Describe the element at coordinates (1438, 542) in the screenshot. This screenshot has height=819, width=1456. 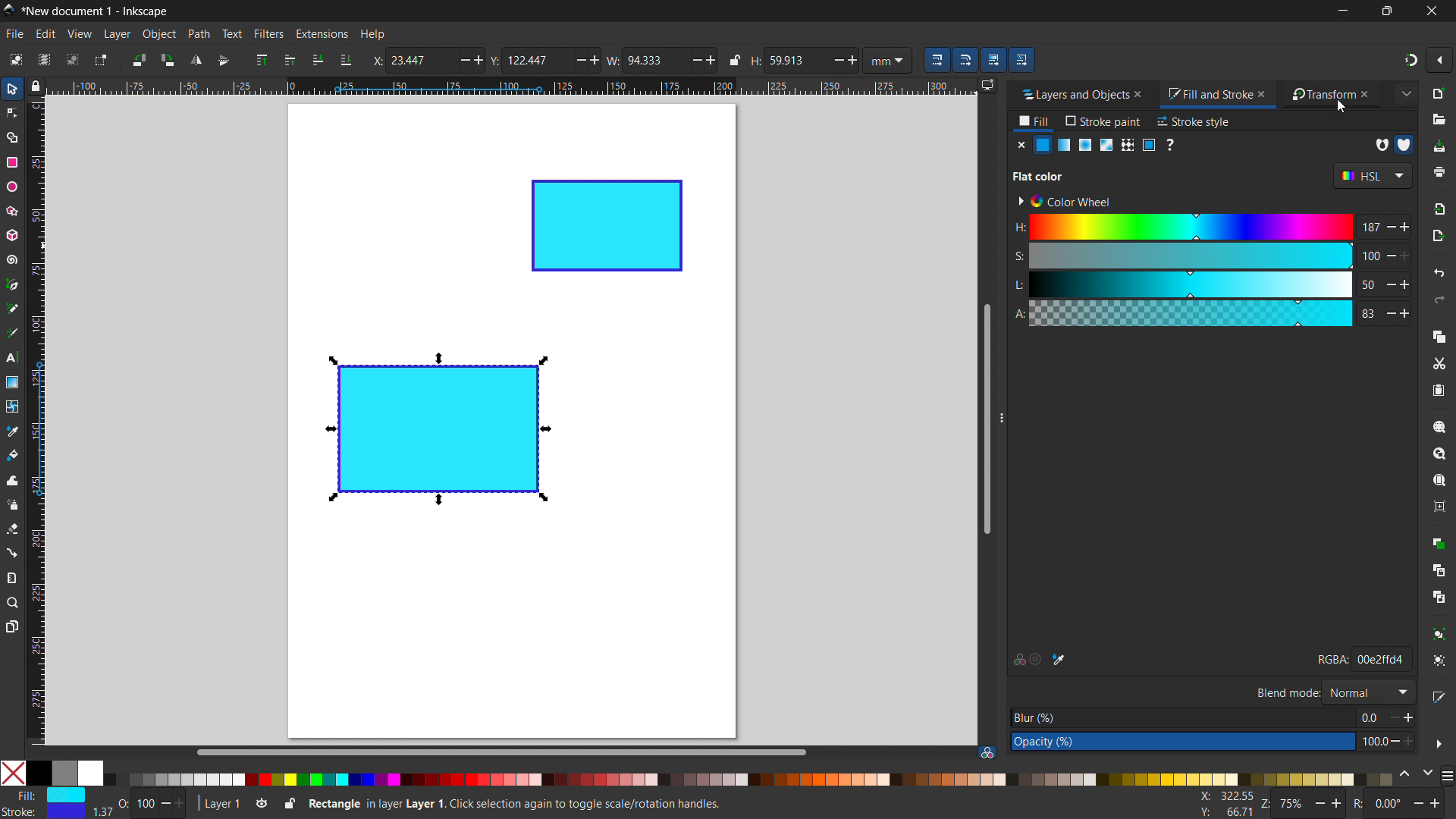
I see `duplicate` at that location.